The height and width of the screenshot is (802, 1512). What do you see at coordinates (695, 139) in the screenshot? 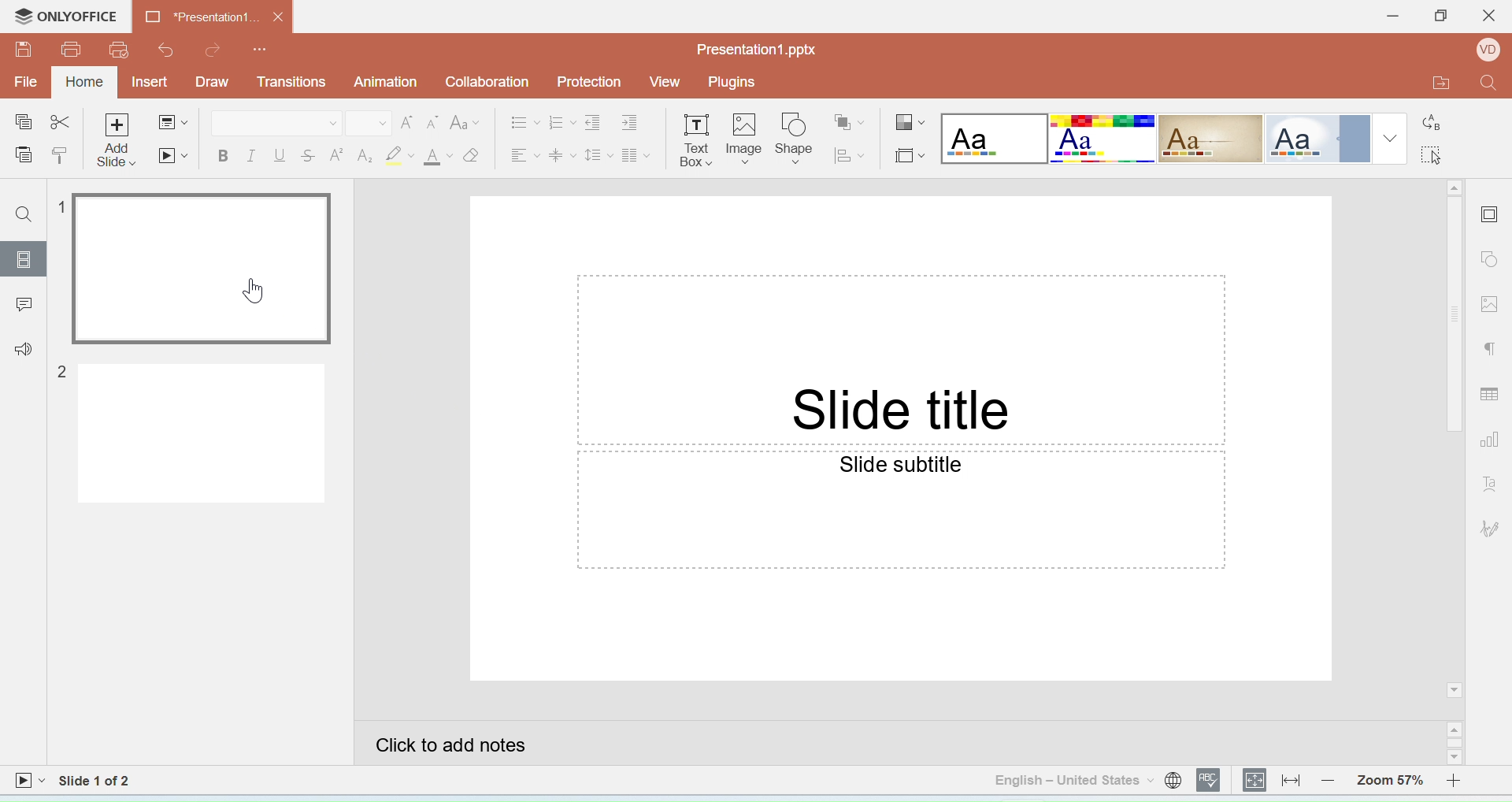
I see `Insert horizontal text box` at bounding box center [695, 139].